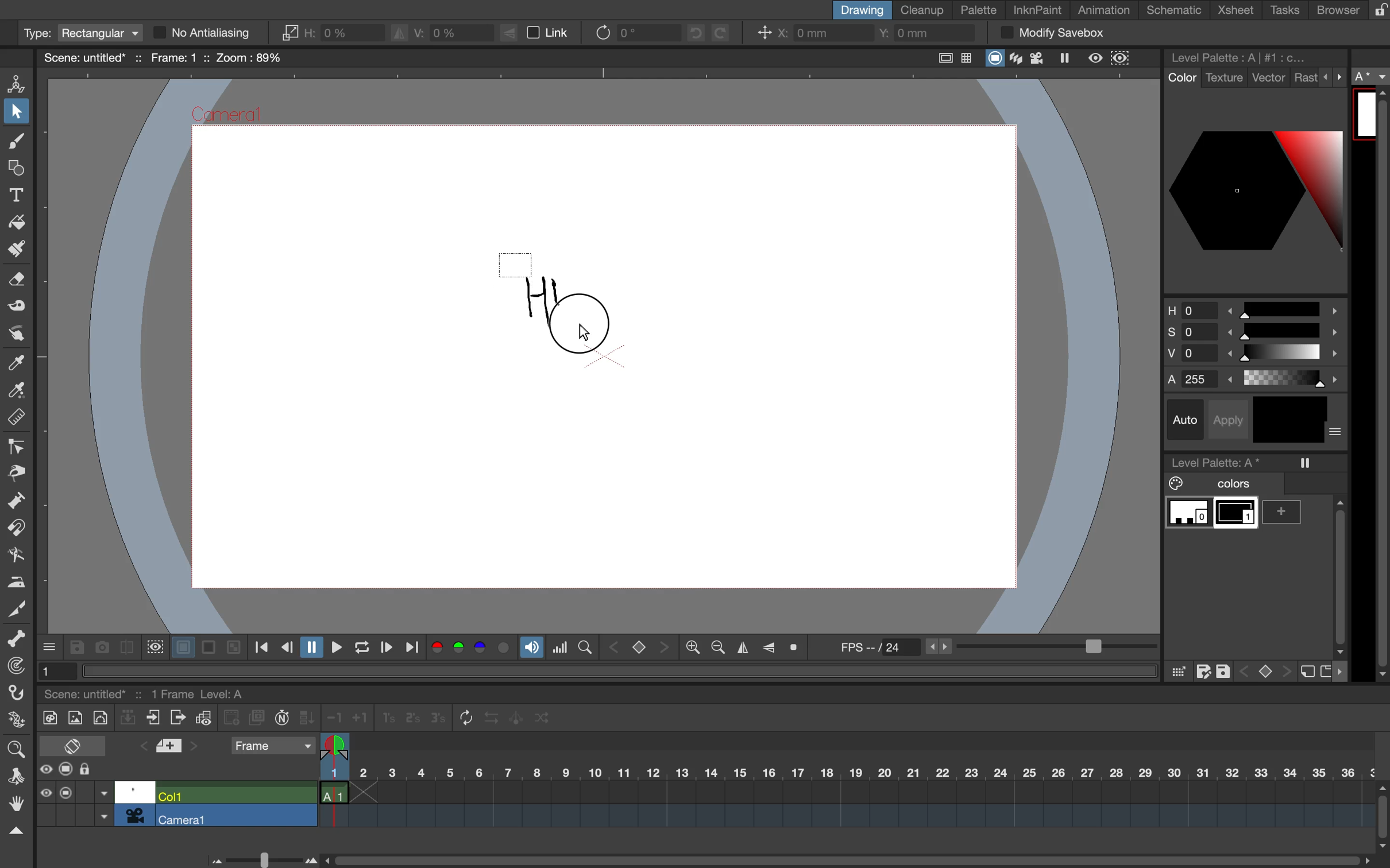 The width and height of the screenshot is (1390, 868). I want to click on save, so click(76, 648).